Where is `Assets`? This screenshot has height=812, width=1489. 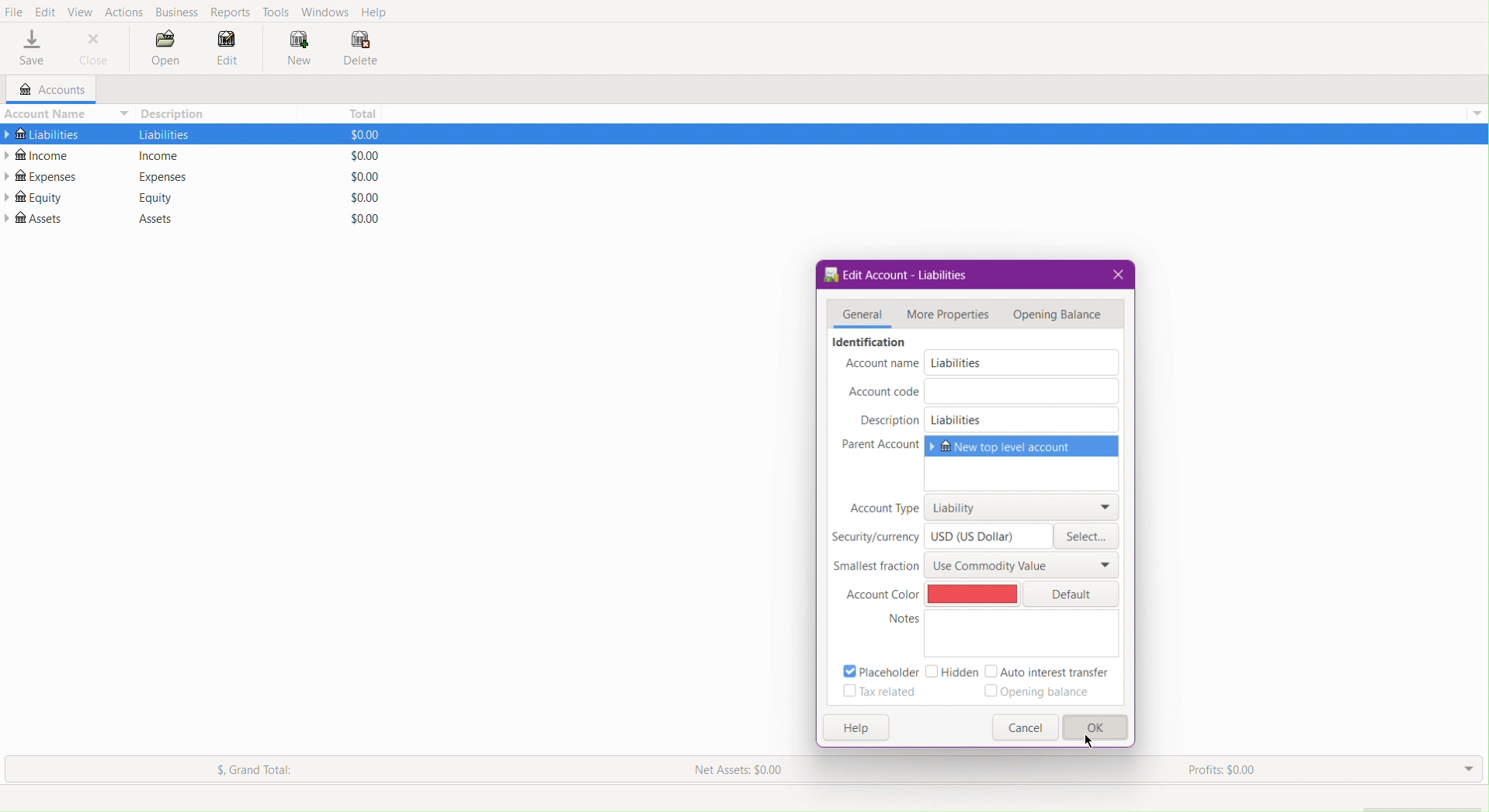
Assets is located at coordinates (36, 218).